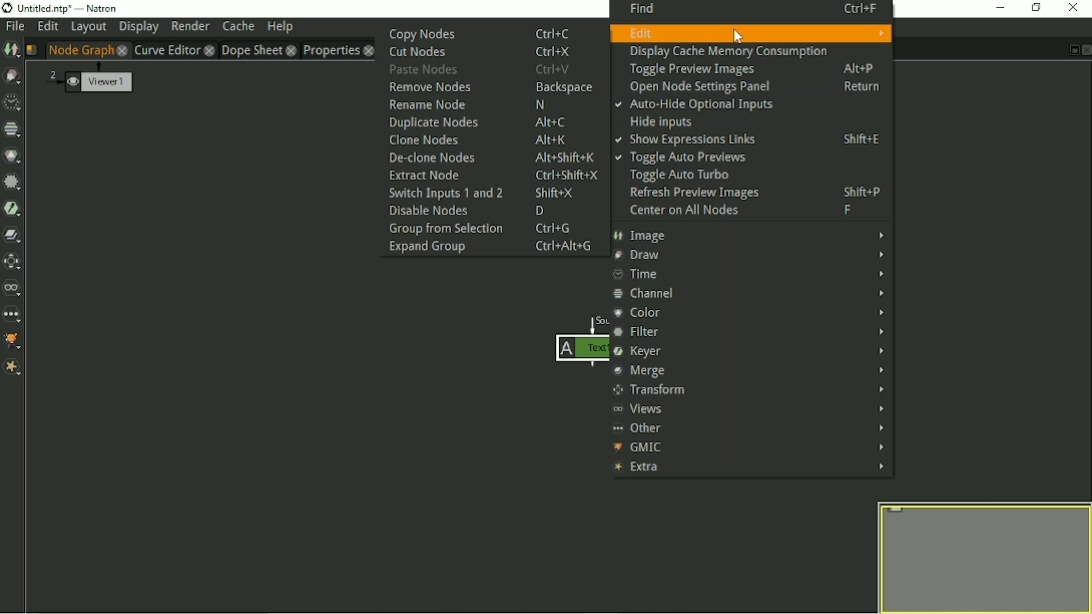 The width and height of the screenshot is (1092, 614). What do you see at coordinates (751, 370) in the screenshot?
I see `Merge` at bounding box center [751, 370].